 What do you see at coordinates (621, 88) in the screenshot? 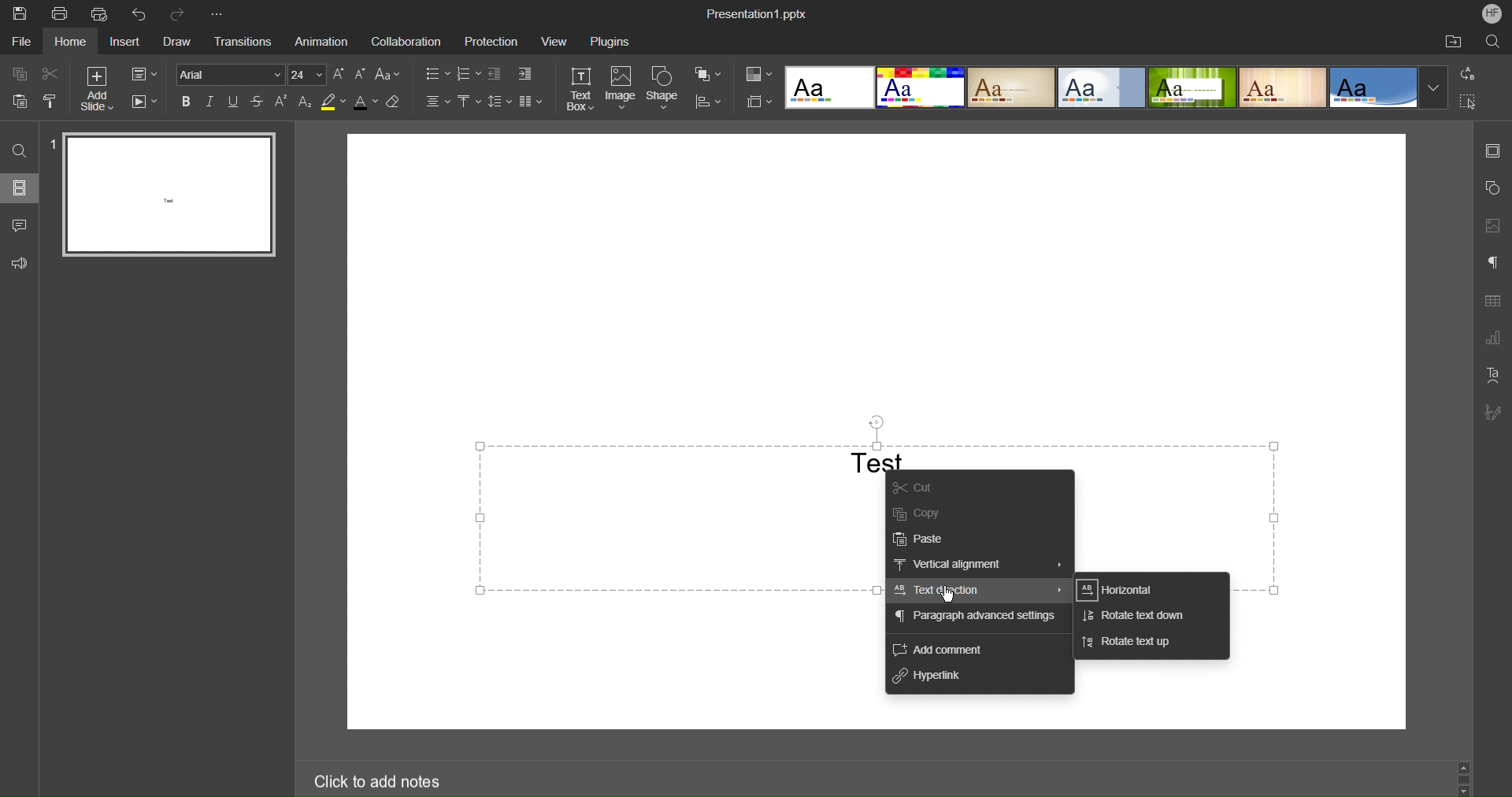
I see `Image` at bounding box center [621, 88].